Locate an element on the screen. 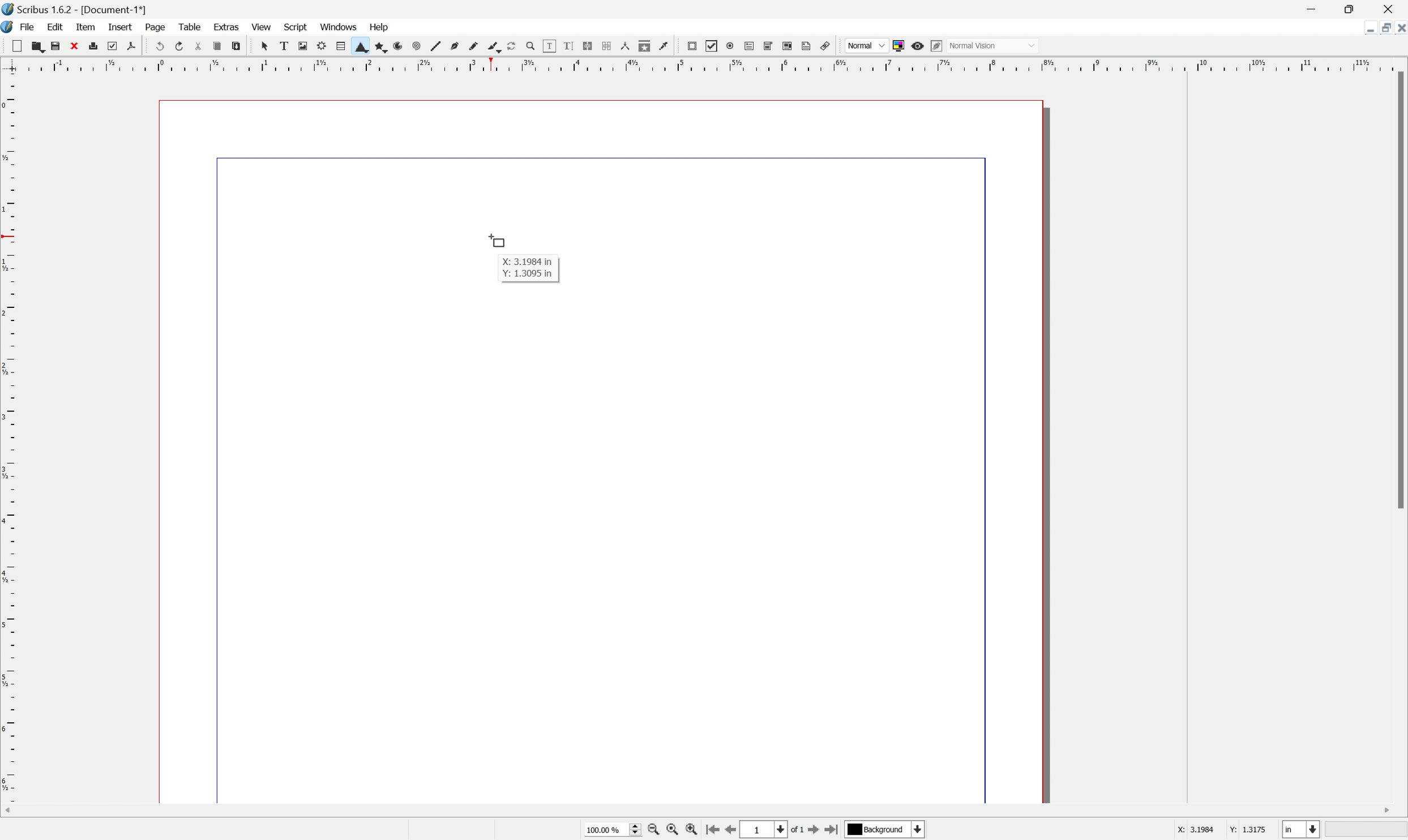  Spiral is located at coordinates (414, 46).